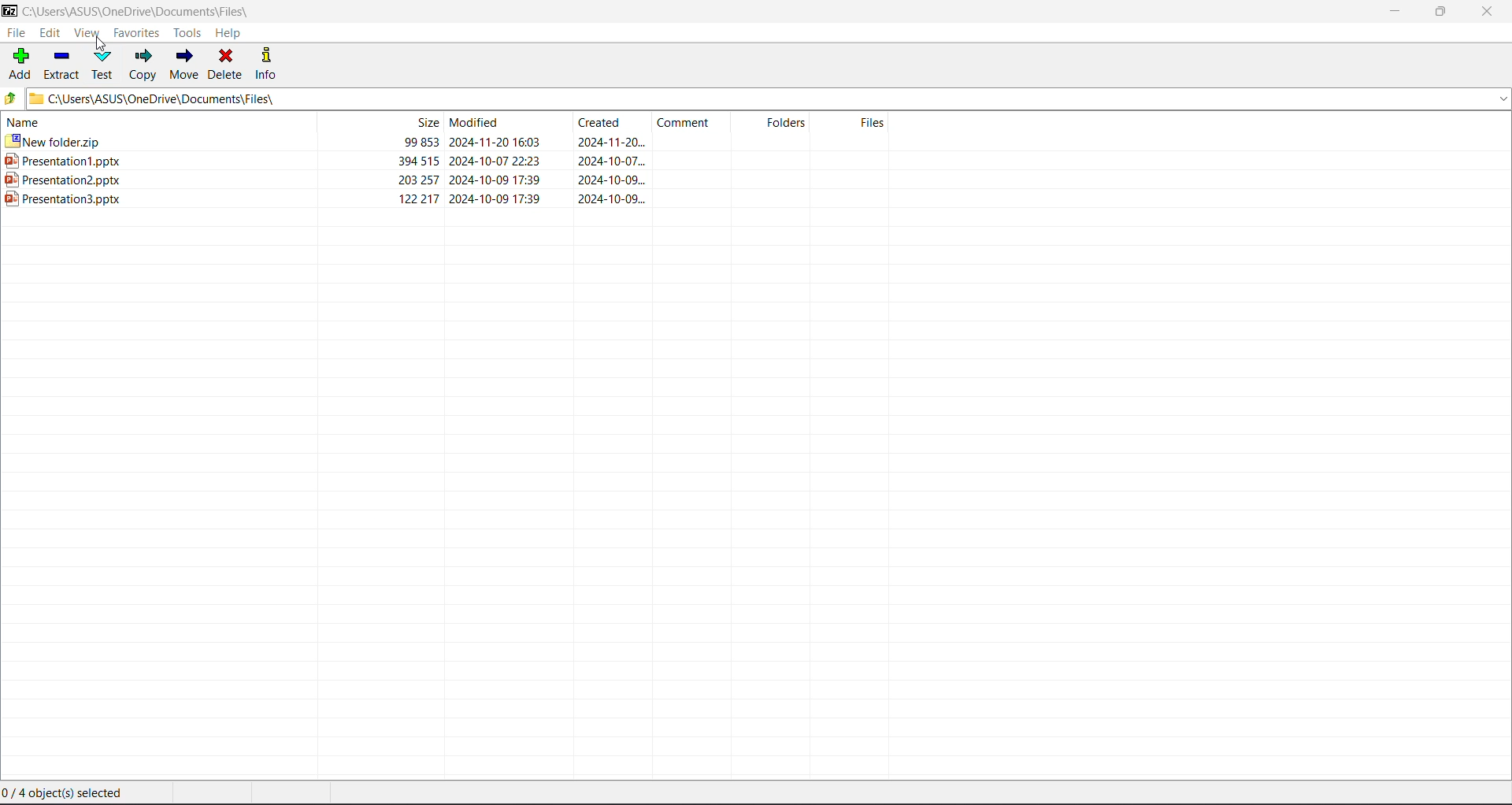 The image size is (1512, 805). Describe the element at coordinates (184, 65) in the screenshot. I see `Move` at that location.